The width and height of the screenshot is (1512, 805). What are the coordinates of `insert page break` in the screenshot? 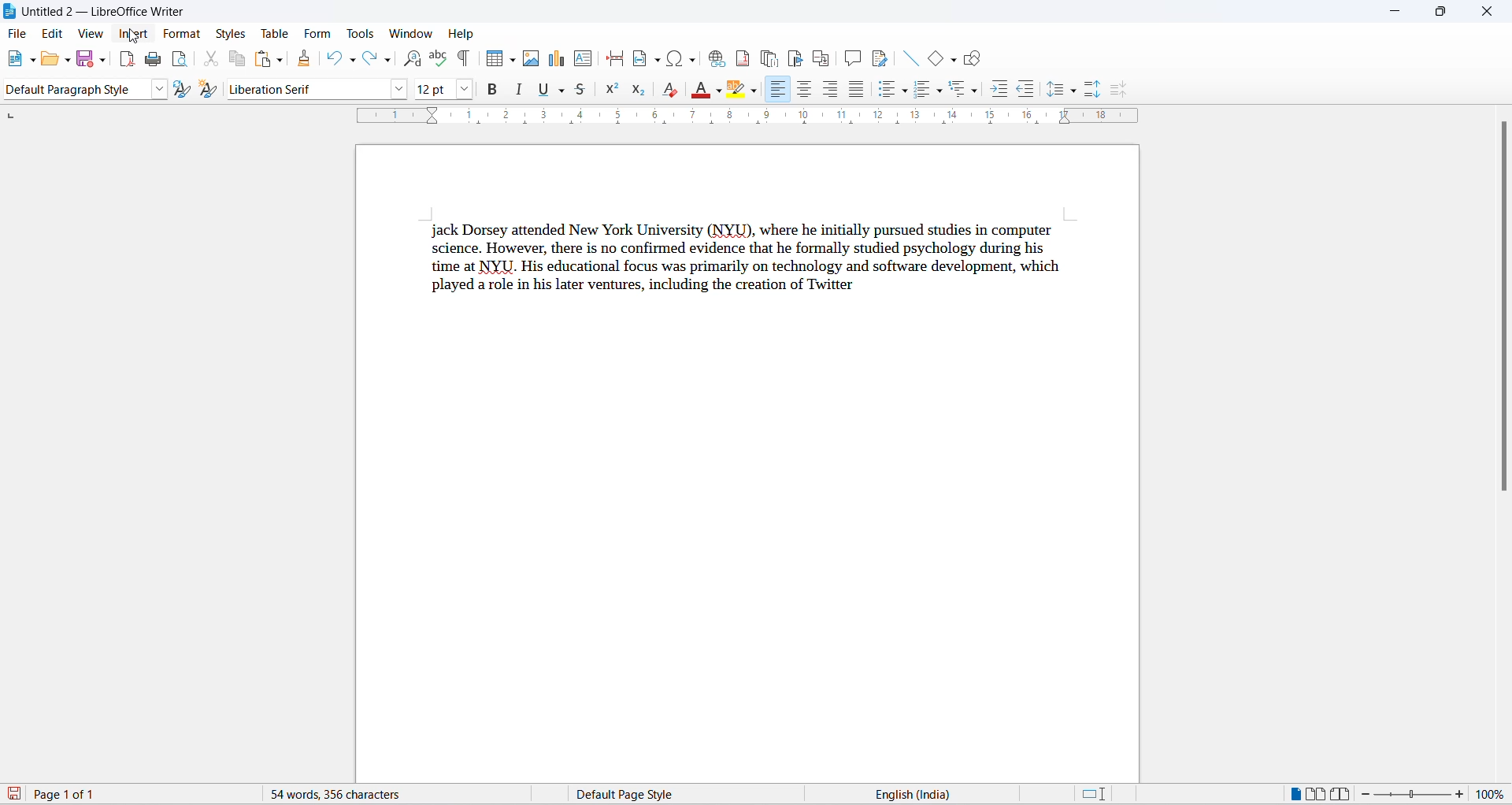 It's located at (613, 57).